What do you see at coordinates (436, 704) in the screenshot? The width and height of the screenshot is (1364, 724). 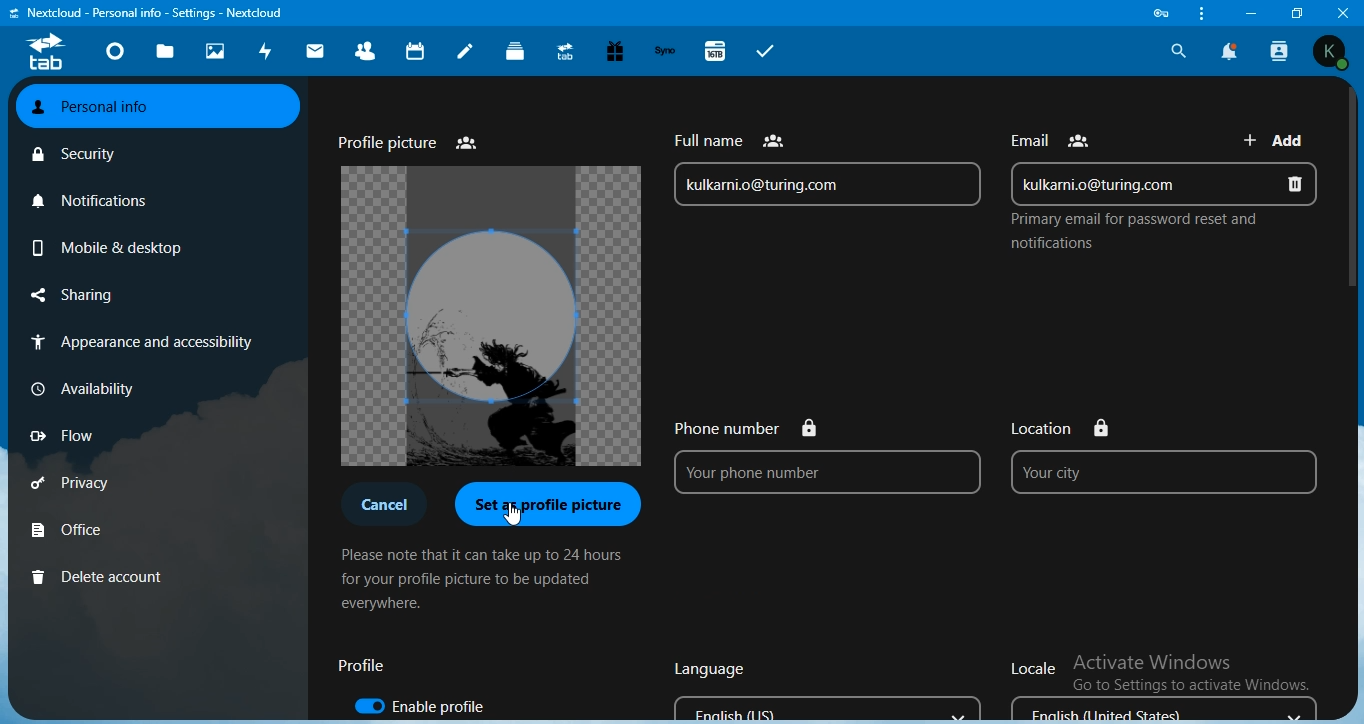 I see `@D Enable profile` at bounding box center [436, 704].